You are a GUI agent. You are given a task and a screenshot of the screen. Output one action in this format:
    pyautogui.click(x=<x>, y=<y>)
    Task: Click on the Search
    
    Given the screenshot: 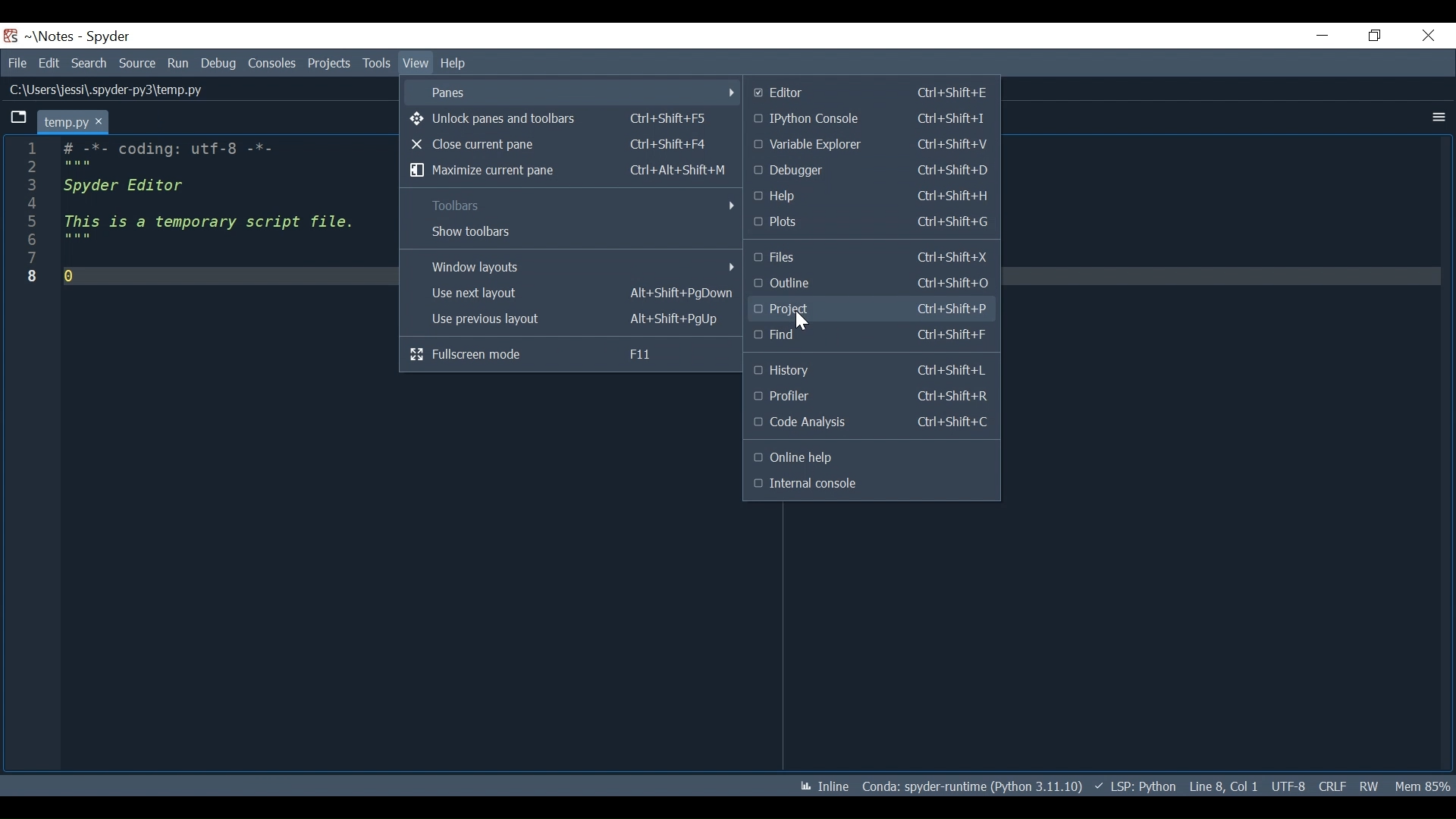 What is the action you would take?
    pyautogui.click(x=89, y=63)
    